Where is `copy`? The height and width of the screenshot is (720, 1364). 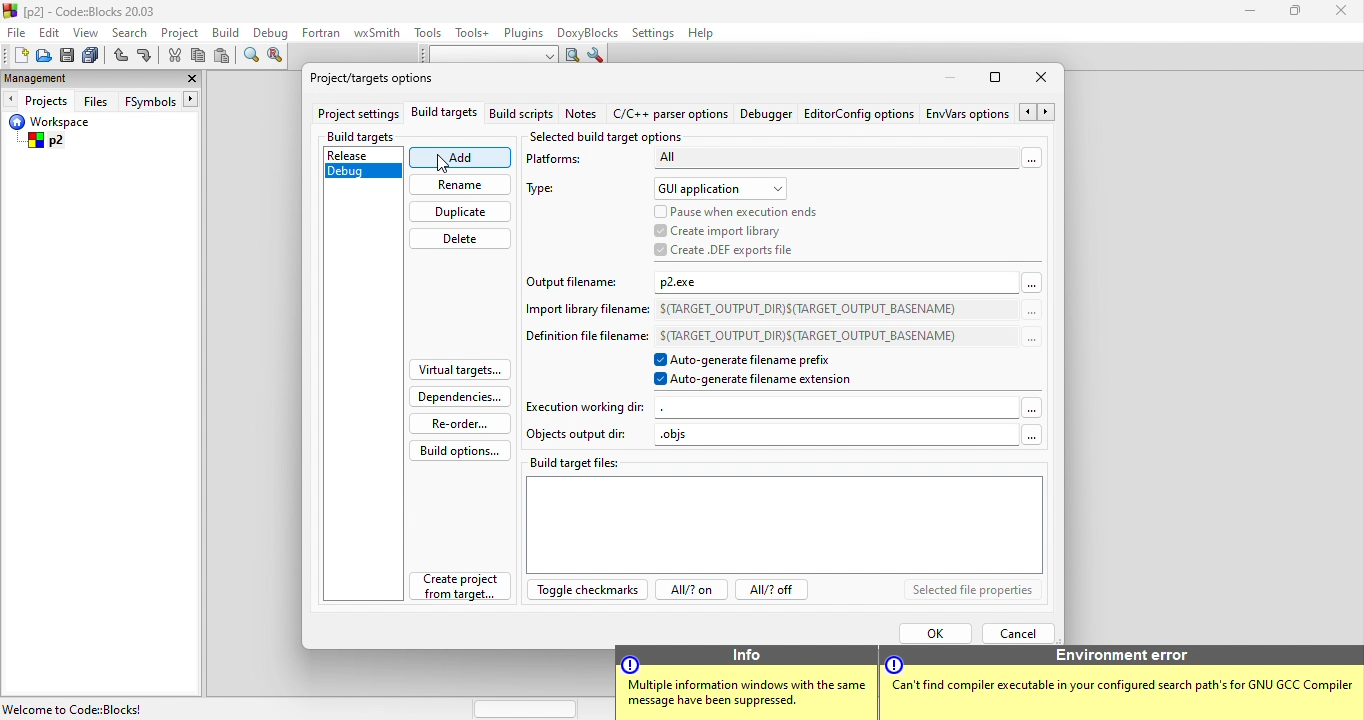 copy is located at coordinates (200, 58).